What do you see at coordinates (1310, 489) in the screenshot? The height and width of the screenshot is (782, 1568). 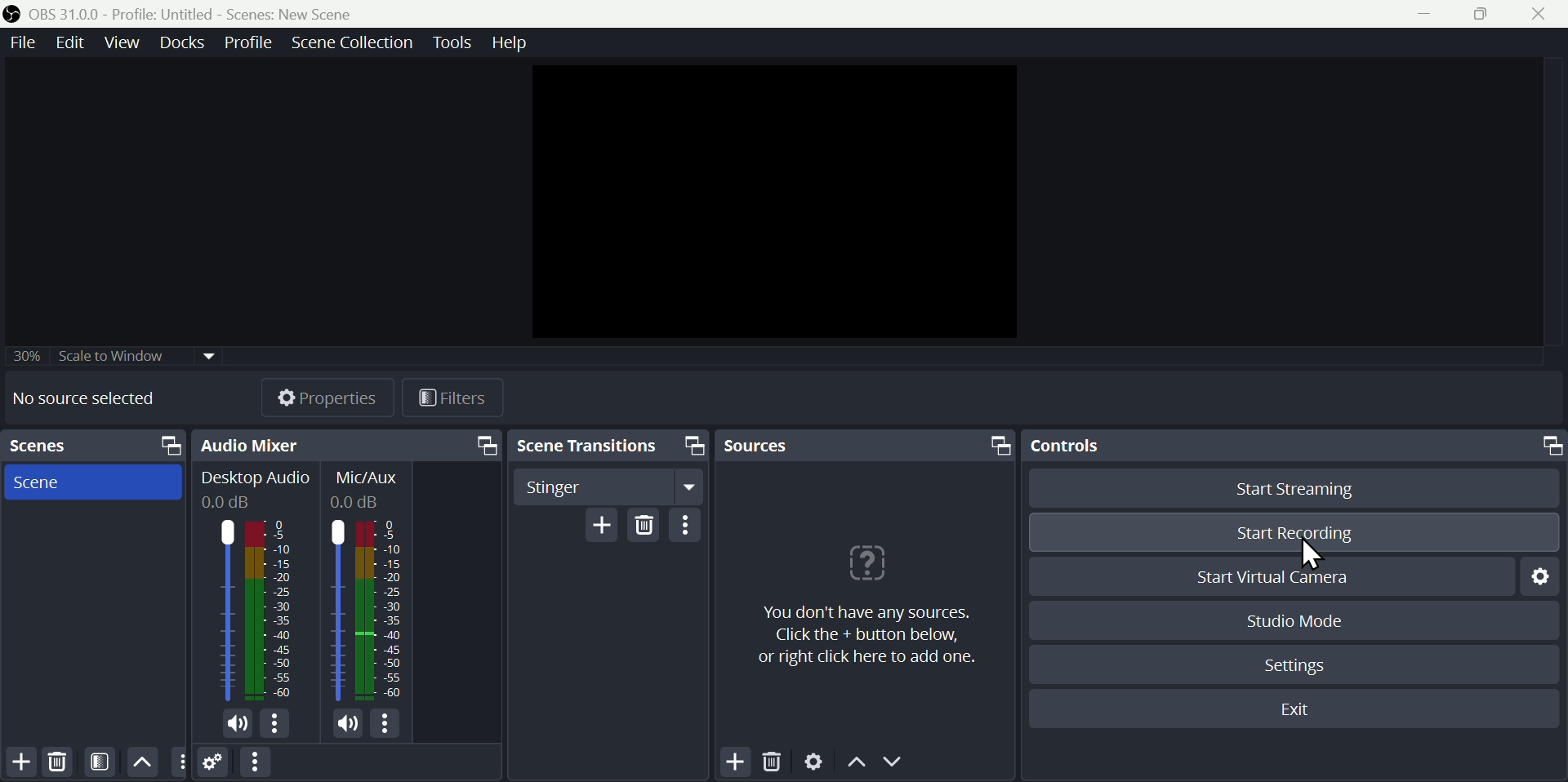 I see `Start streaming ` at bounding box center [1310, 489].